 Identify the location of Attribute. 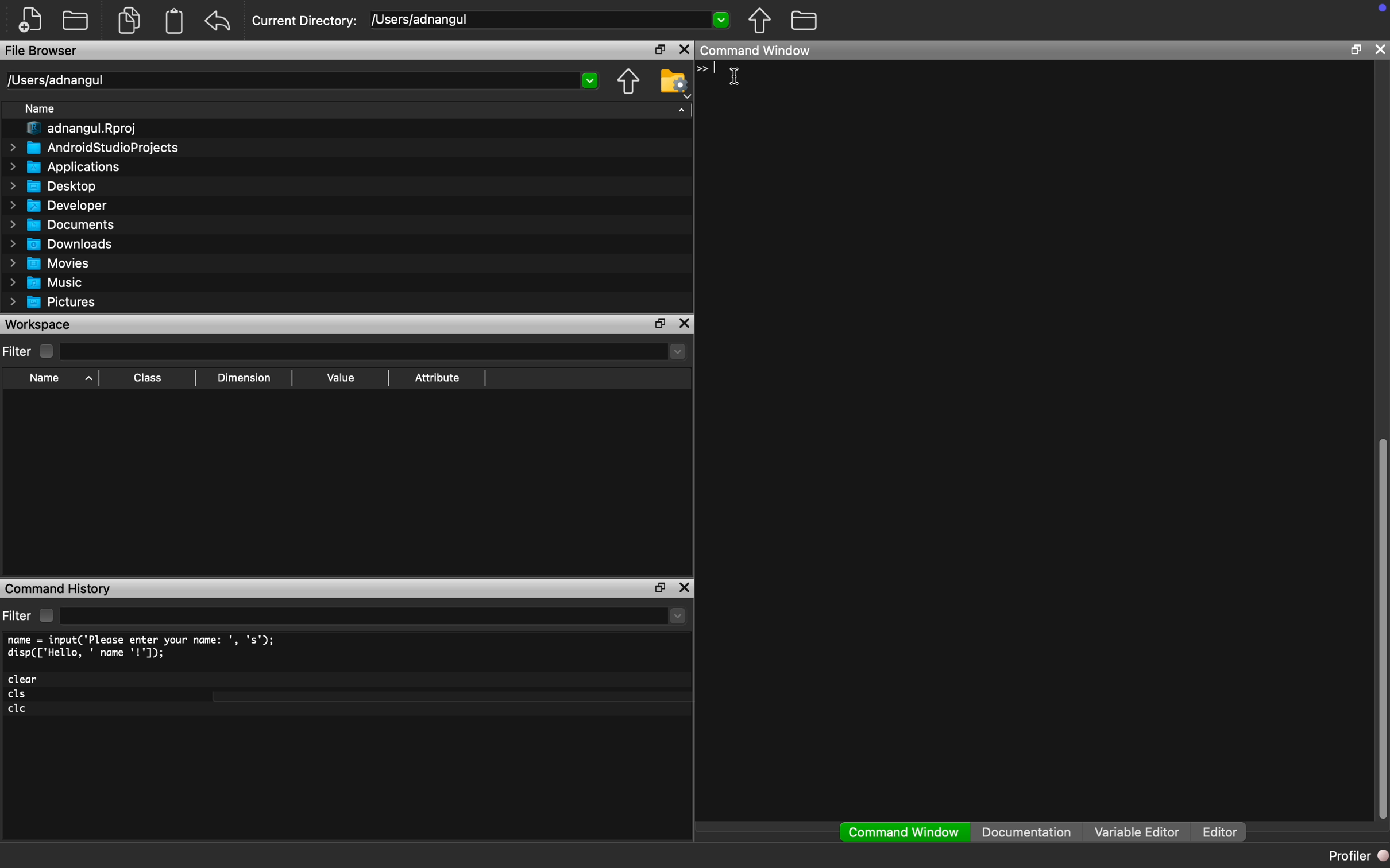
(437, 377).